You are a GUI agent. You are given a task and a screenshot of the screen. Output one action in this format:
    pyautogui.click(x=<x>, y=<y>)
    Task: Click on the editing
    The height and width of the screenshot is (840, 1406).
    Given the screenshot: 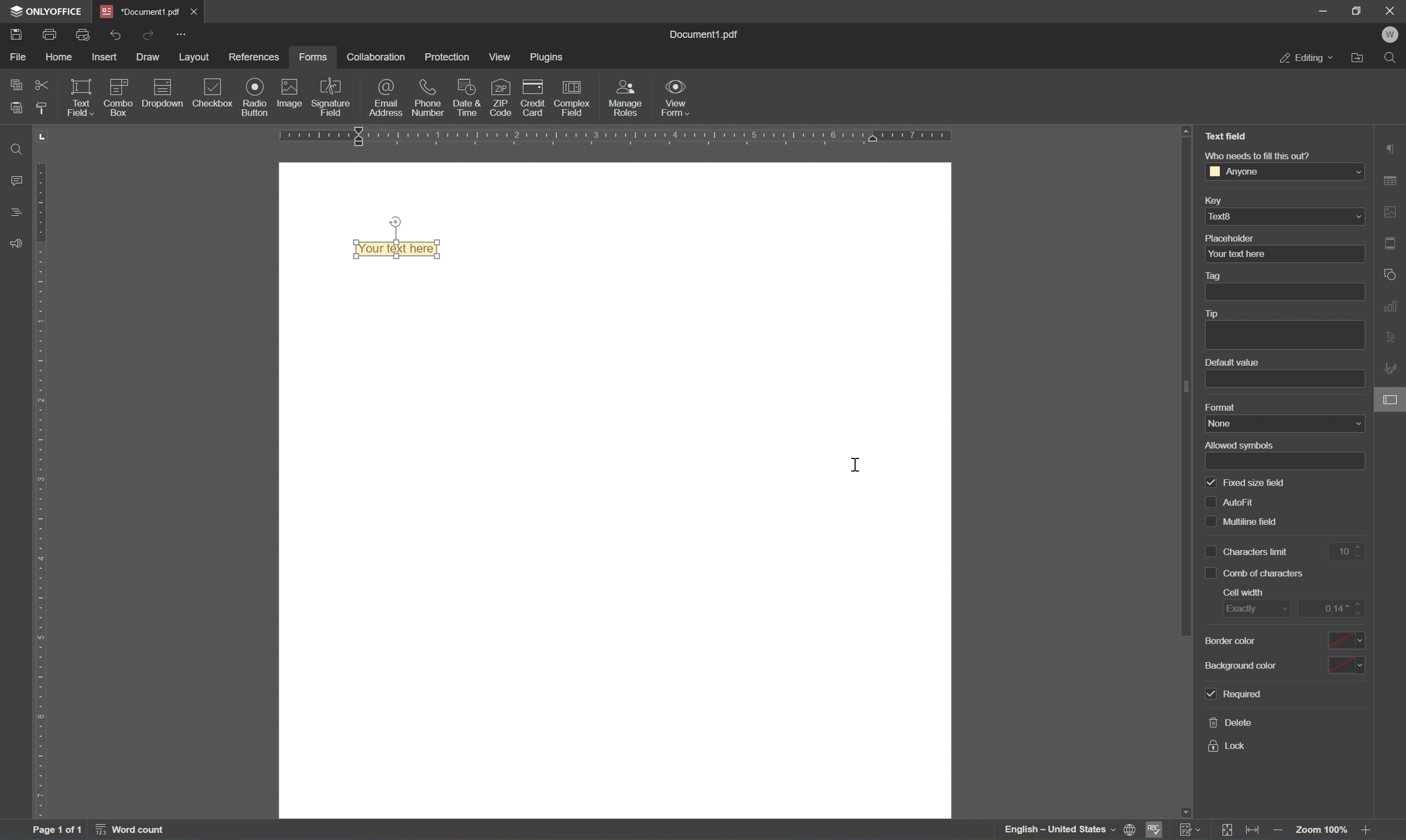 What is the action you would take?
    pyautogui.click(x=1306, y=59)
    